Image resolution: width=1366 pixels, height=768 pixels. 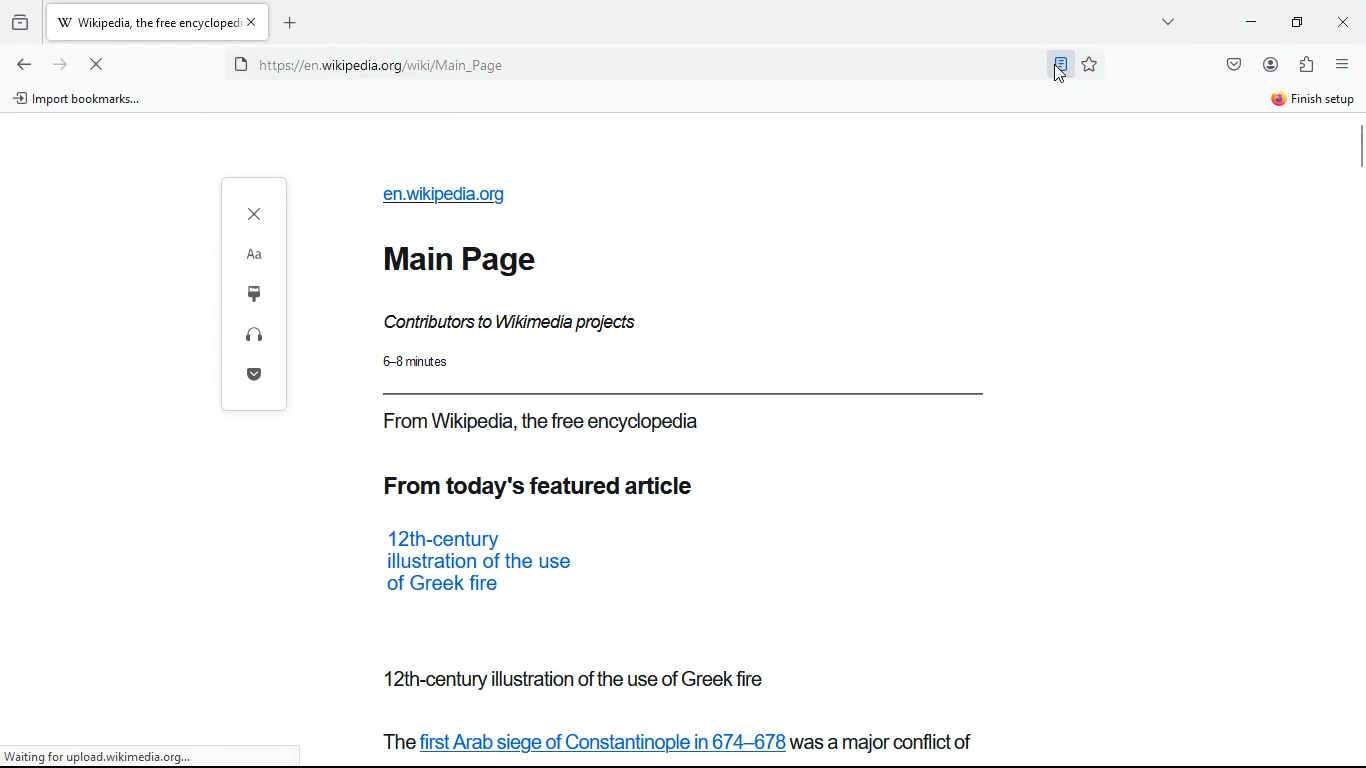 I want to click on main page, so click(x=463, y=258).